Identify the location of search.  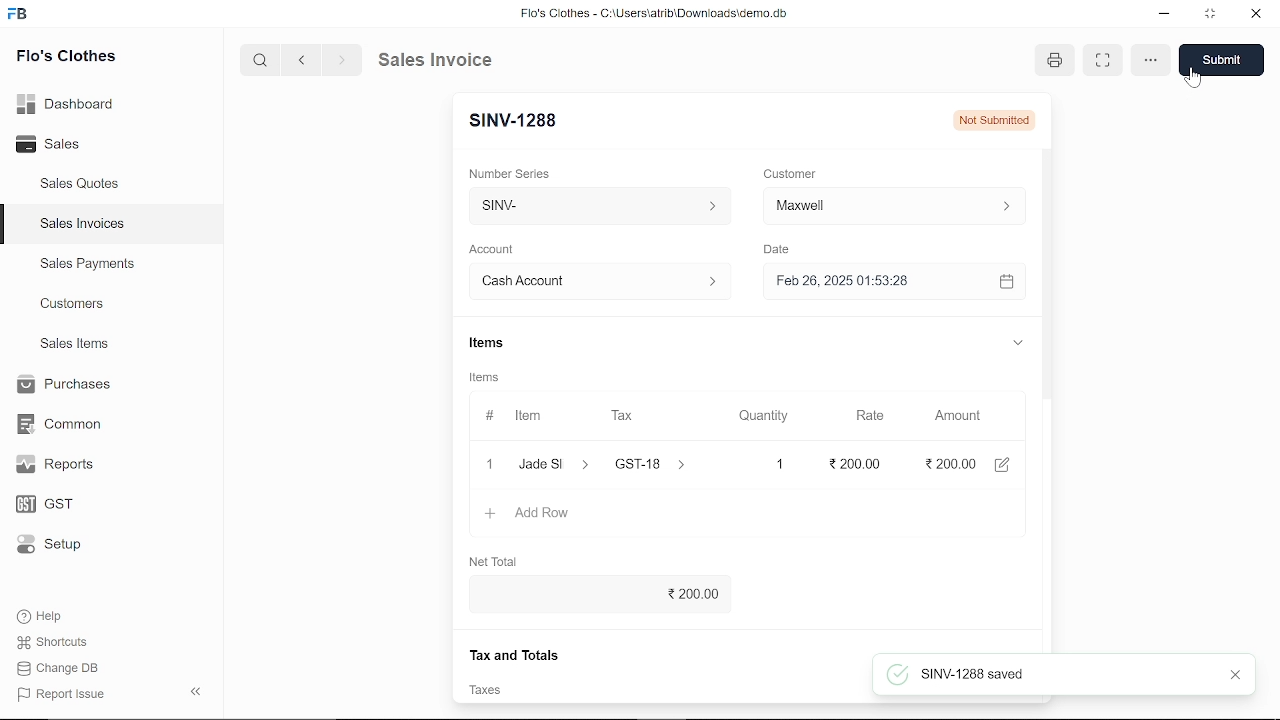
(262, 59).